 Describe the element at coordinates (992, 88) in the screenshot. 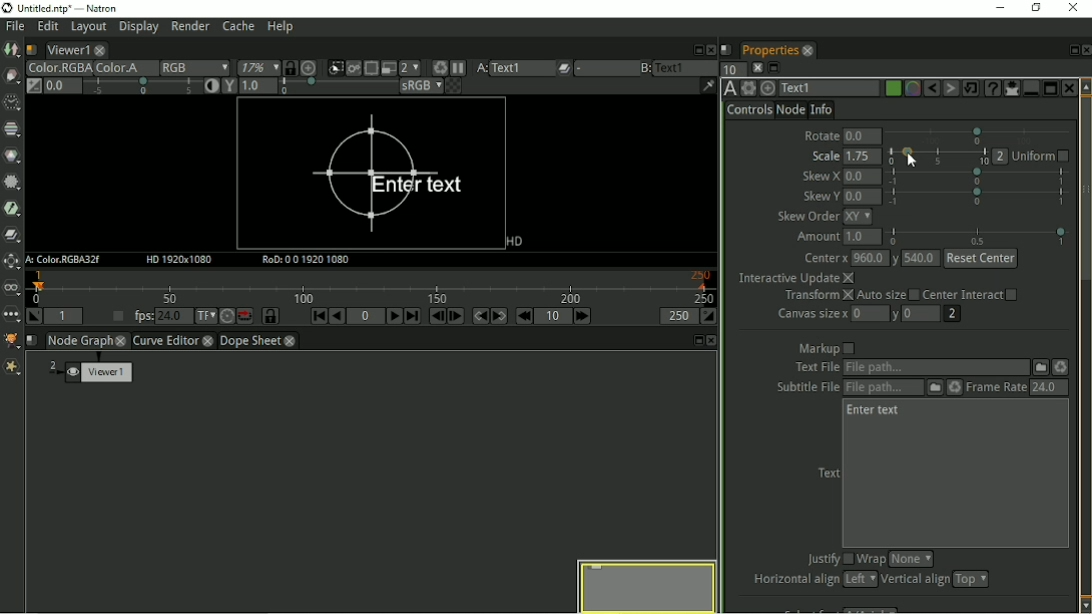

I see `Advanced text generator node` at that location.